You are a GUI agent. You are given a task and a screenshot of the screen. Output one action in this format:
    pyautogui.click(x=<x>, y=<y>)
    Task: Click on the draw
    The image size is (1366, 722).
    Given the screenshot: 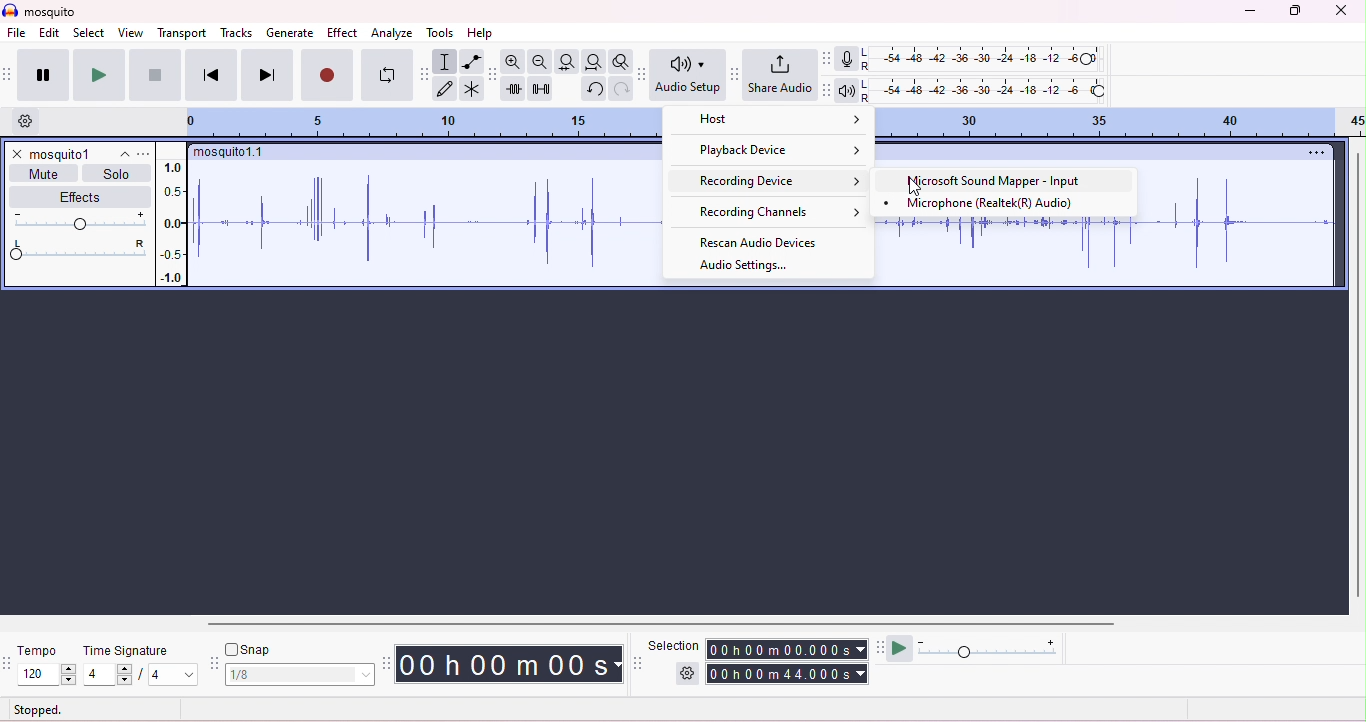 What is the action you would take?
    pyautogui.click(x=446, y=90)
    